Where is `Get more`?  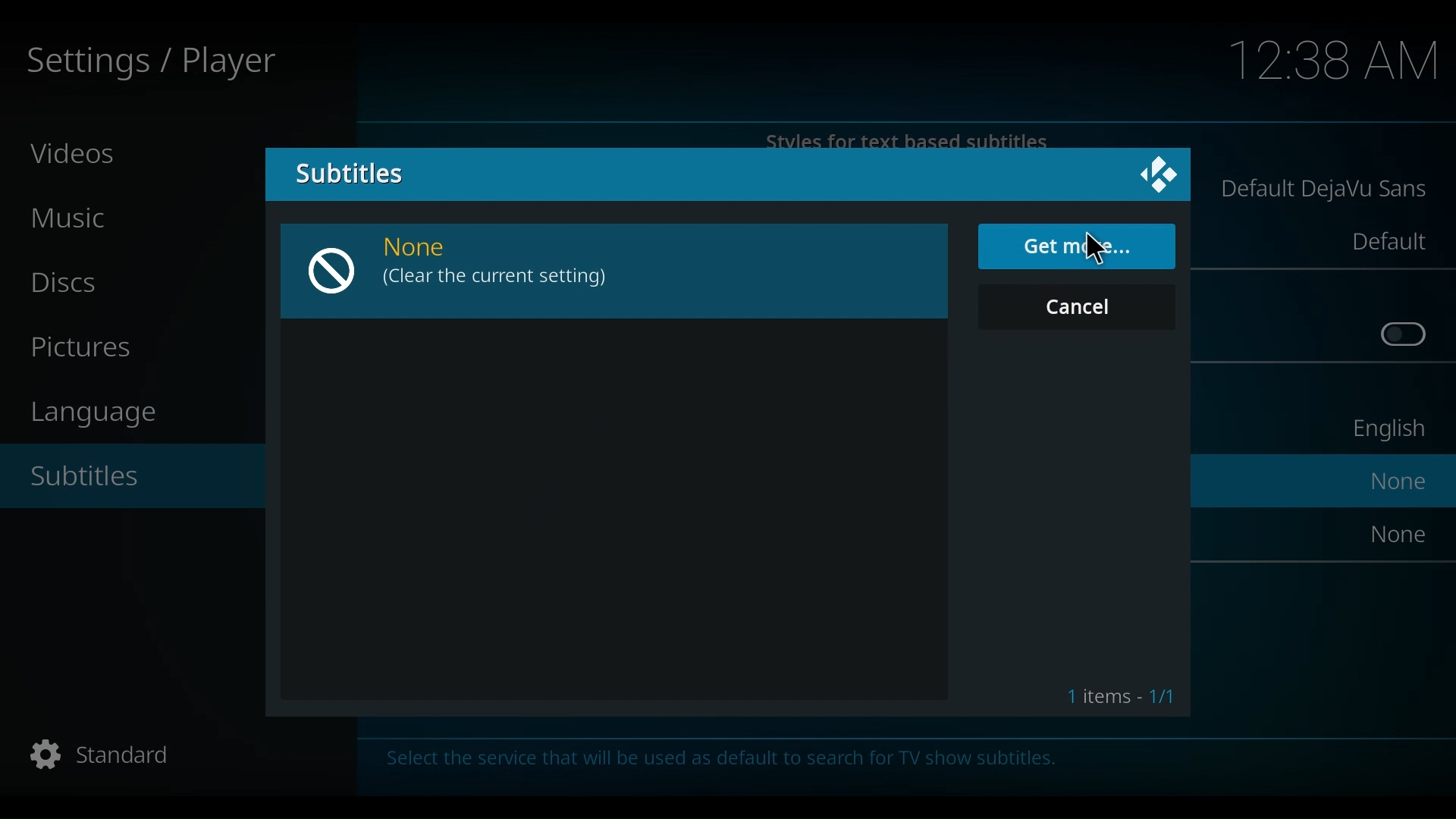 Get more is located at coordinates (1077, 247).